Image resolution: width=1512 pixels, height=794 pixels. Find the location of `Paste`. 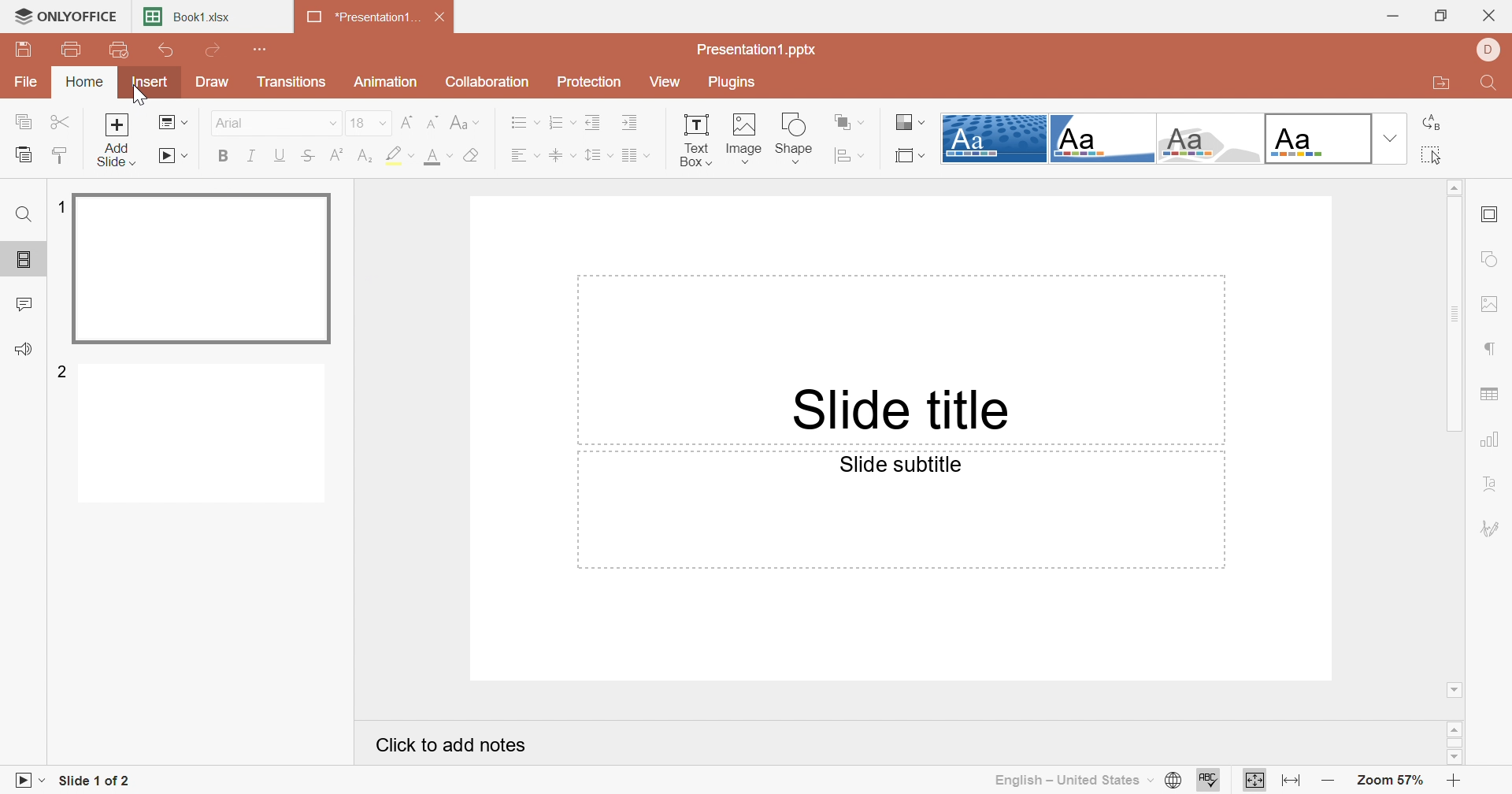

Paste is located at coordinates (23, 155).